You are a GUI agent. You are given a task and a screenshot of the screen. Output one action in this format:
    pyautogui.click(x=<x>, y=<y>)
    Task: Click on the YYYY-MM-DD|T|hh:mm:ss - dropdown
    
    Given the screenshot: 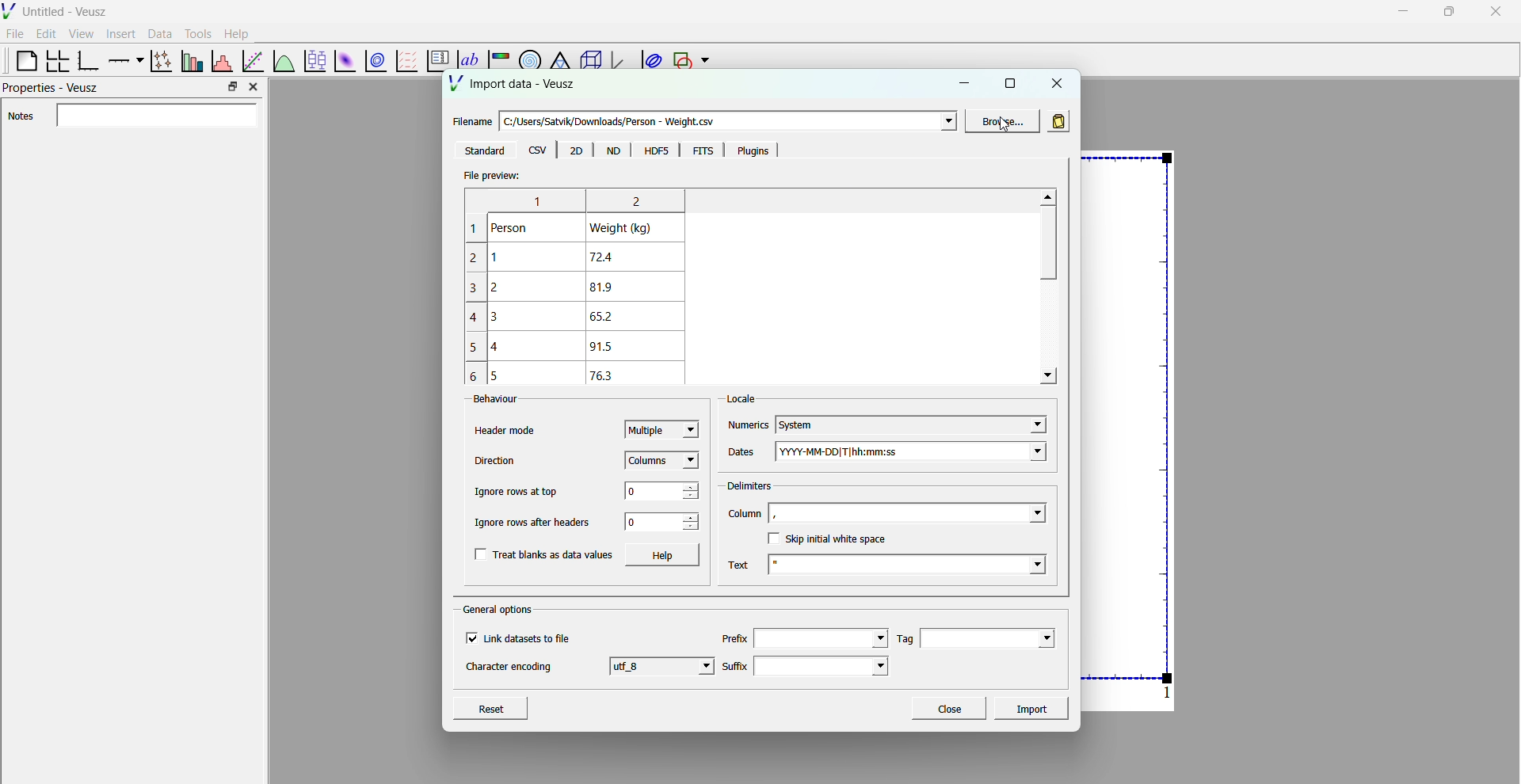 What is the action you would take?
    pyautogui.click(x=924, y=453)
    